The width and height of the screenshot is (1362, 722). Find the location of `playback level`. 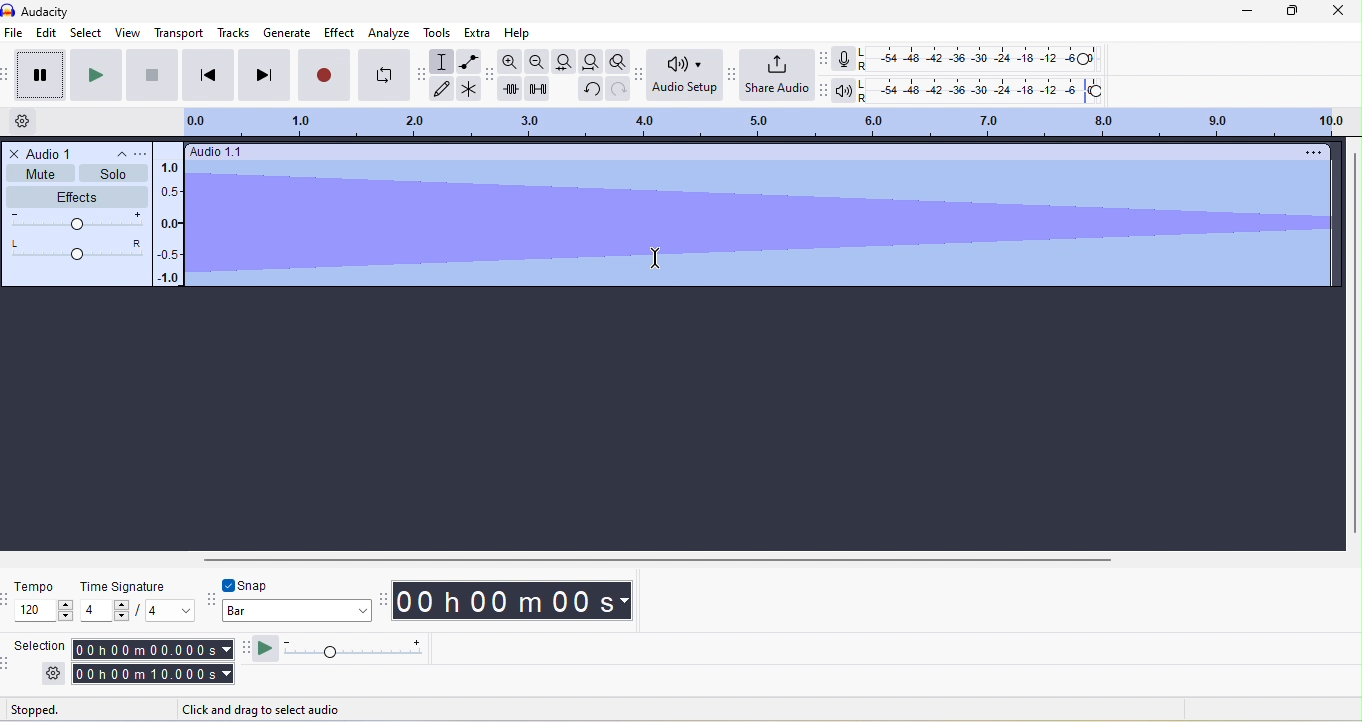

playback level is located at coordinates (985, 88).